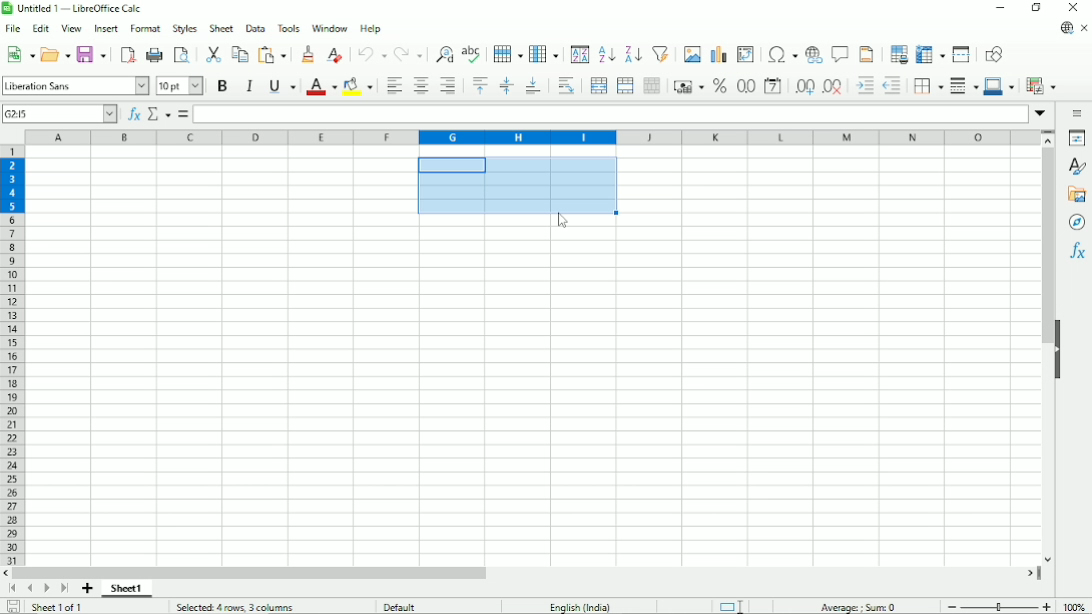 The width and height of the screenshot is (1092, 614). I want to click on Align right, so click(448, 87).